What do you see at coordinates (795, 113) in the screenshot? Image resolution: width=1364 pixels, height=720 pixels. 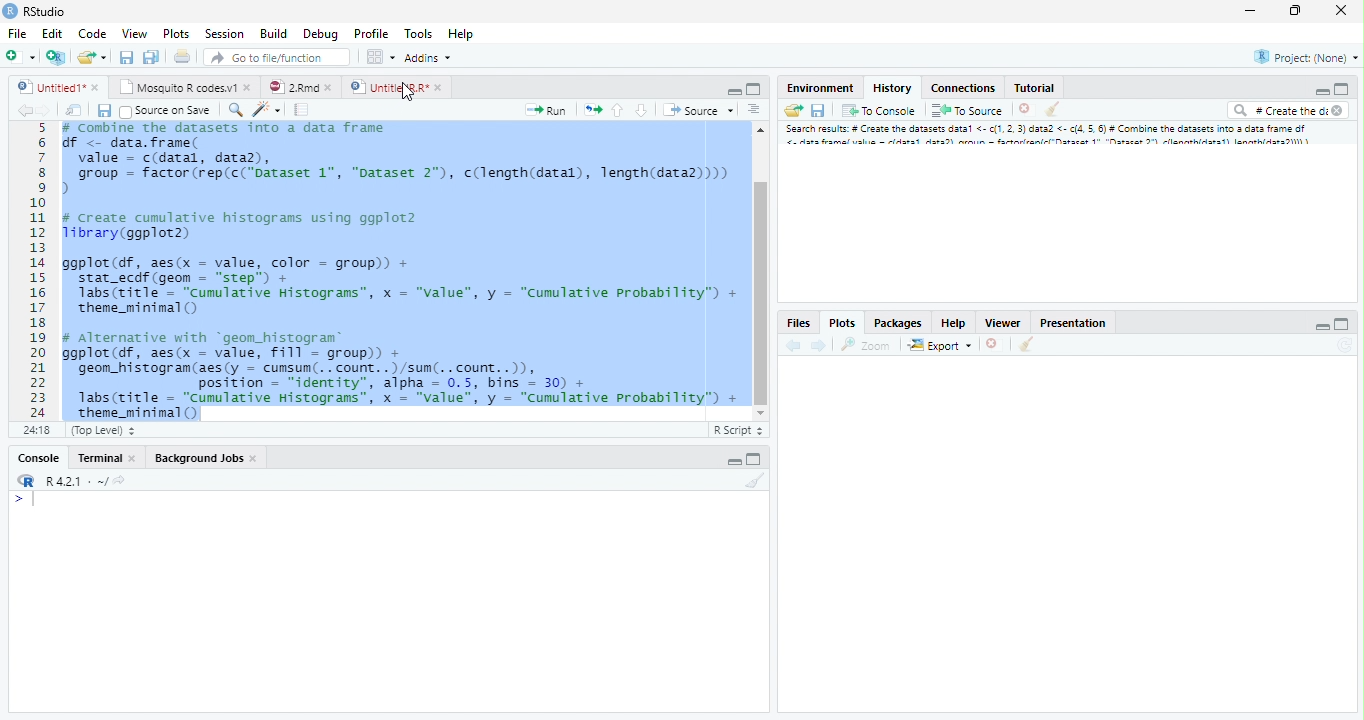 I see `Load Workspace` at bounding box center [795, 113].